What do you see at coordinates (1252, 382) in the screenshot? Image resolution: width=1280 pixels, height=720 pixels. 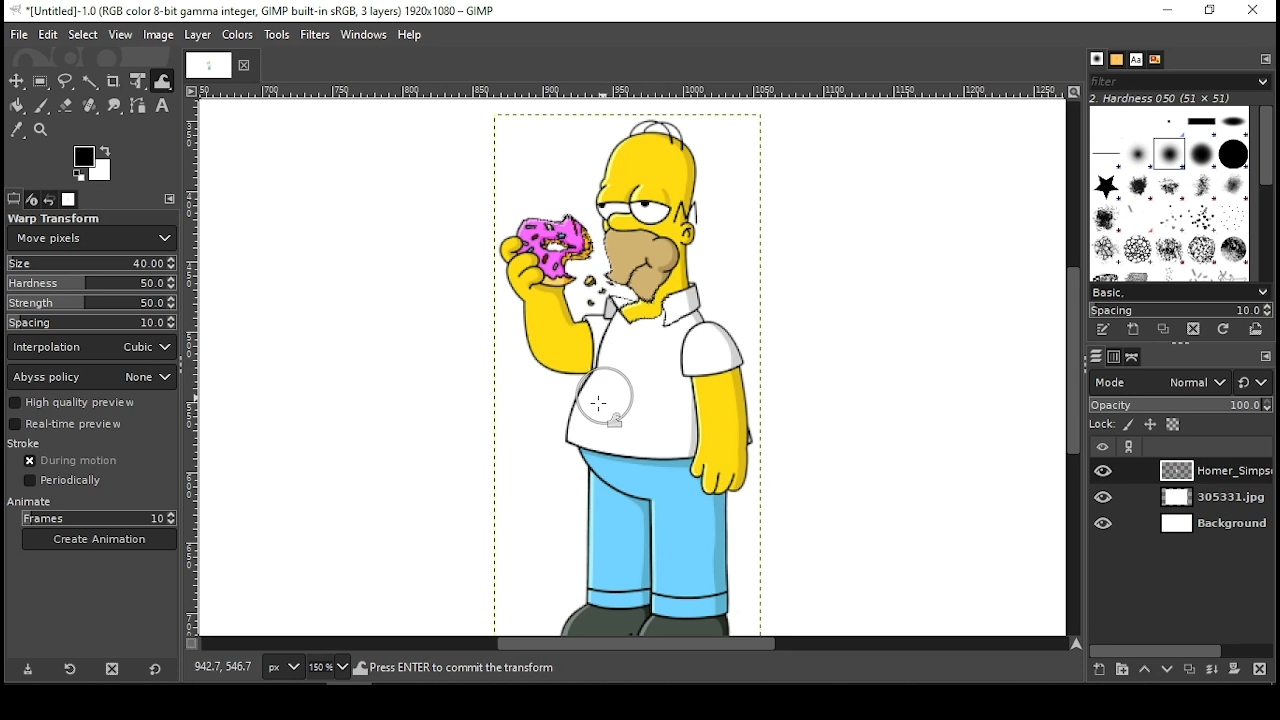 I see `switch to another group of modes` at bounding box center [1252, 382].